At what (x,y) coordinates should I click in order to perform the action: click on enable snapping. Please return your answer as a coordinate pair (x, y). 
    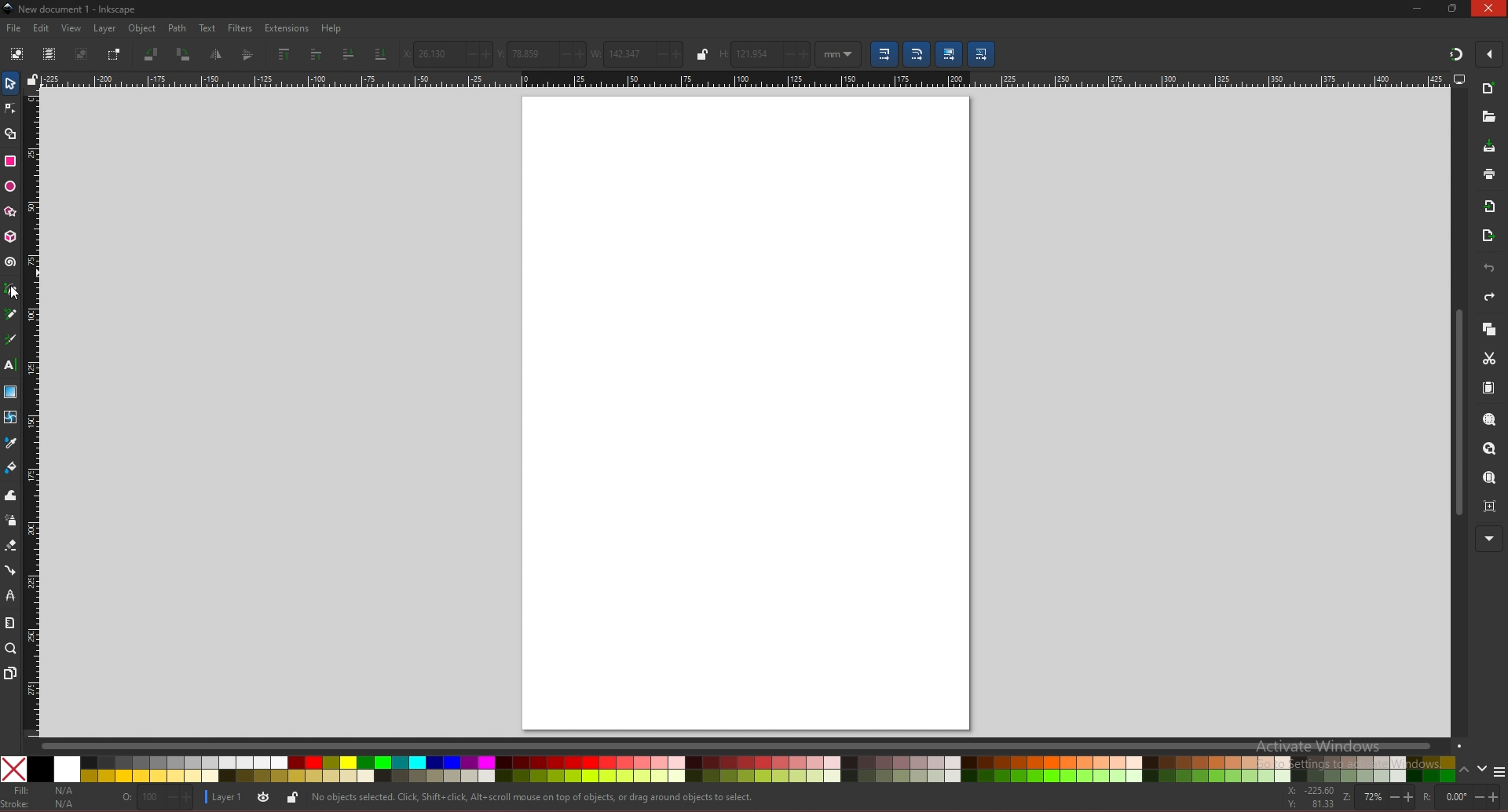
    Looking at the image, I should click on (1489, 54).